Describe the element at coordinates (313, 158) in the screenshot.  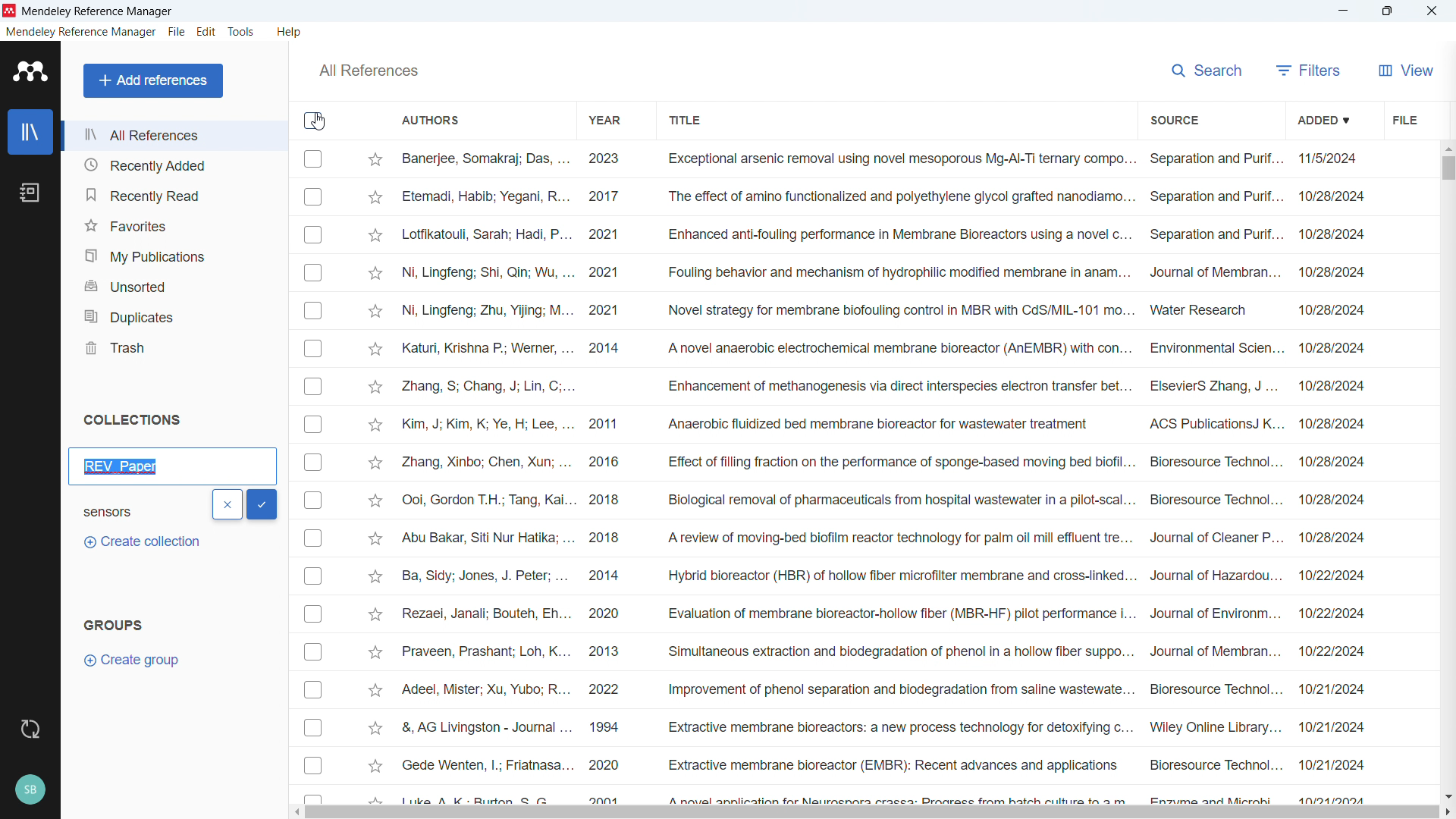
I see `Select respective publication` at that location.